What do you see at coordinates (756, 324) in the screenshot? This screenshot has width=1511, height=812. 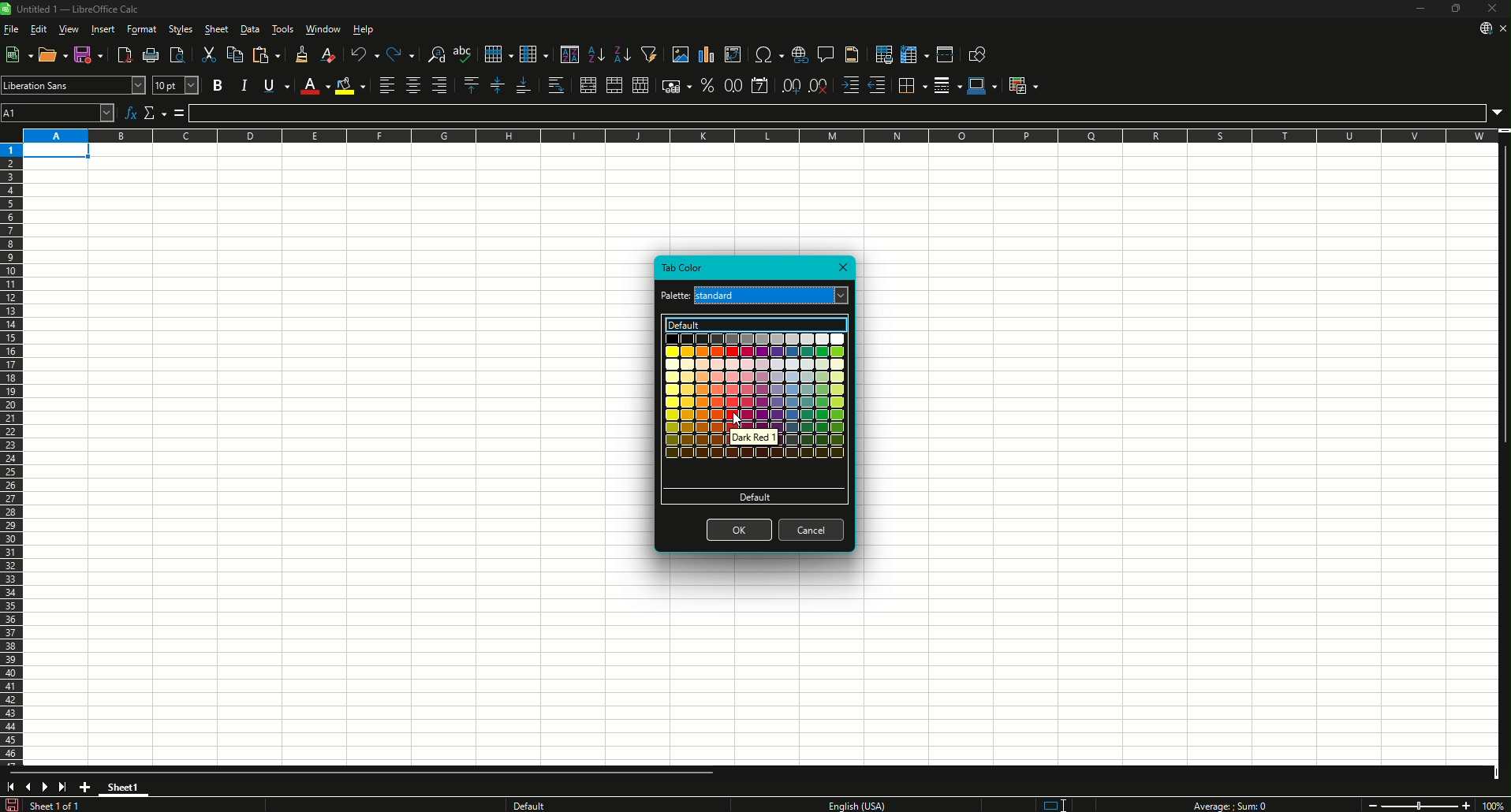 I see `Default color` at bounding box center [756, 324].